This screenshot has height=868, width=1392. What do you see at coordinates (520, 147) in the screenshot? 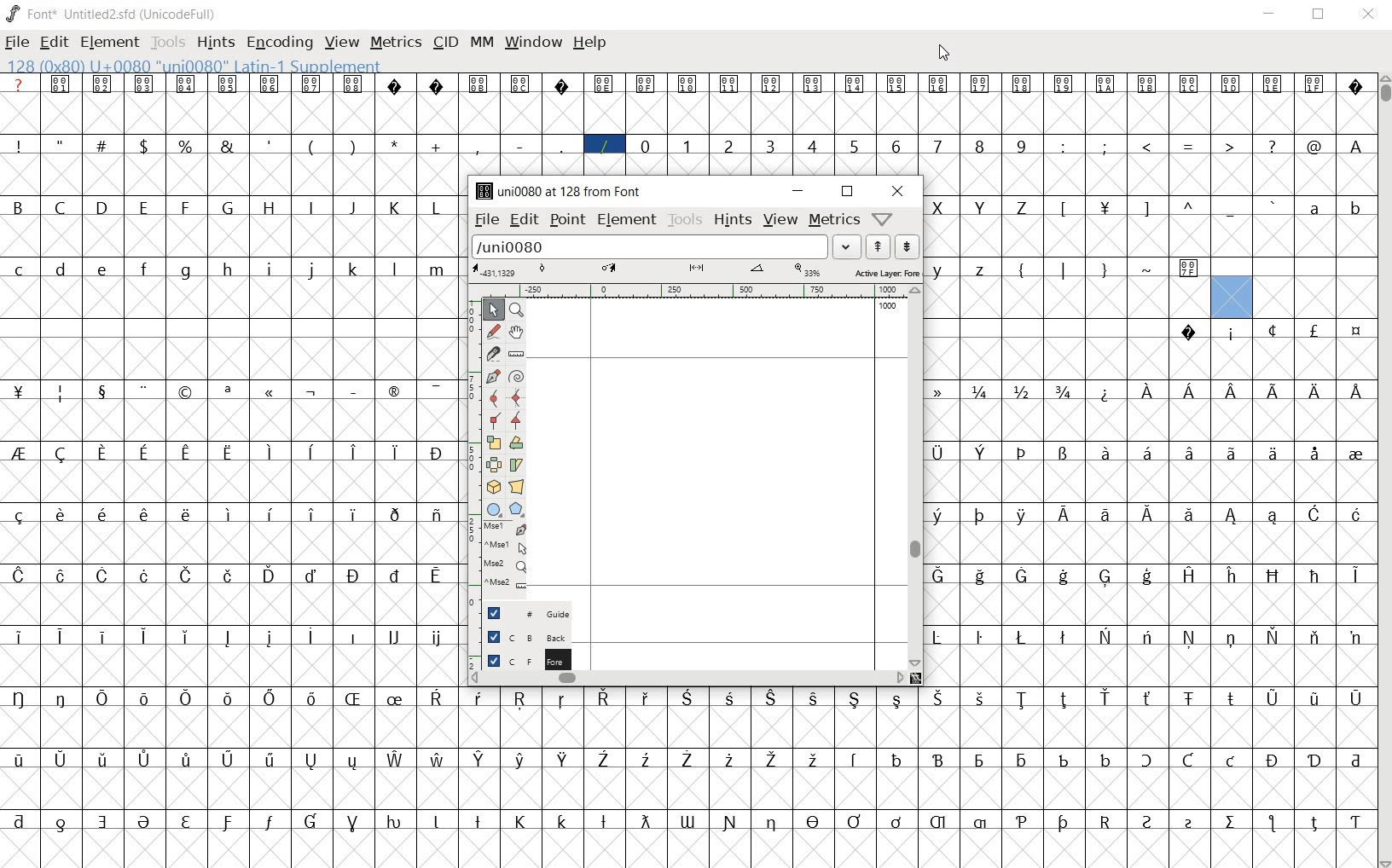
I see `glyph` at bounding box center [520, 147].